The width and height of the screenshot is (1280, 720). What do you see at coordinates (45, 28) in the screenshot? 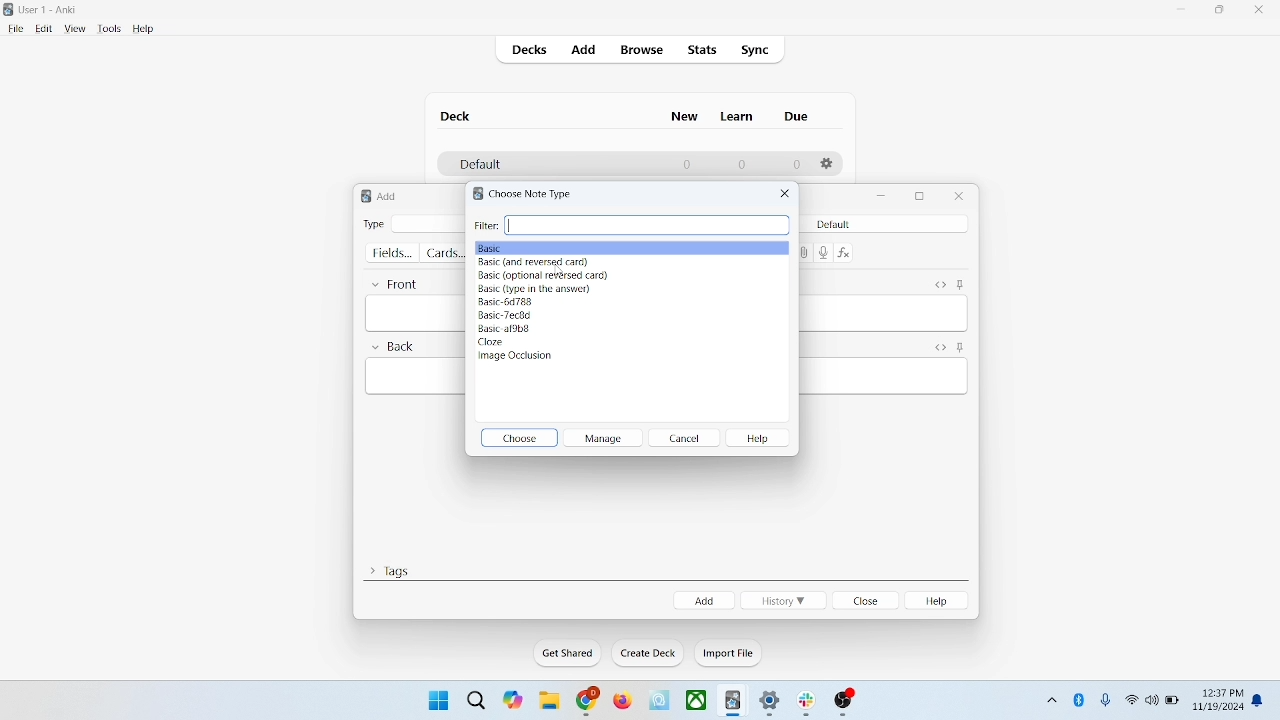
I see `edit` at bounding box center [45, 28].